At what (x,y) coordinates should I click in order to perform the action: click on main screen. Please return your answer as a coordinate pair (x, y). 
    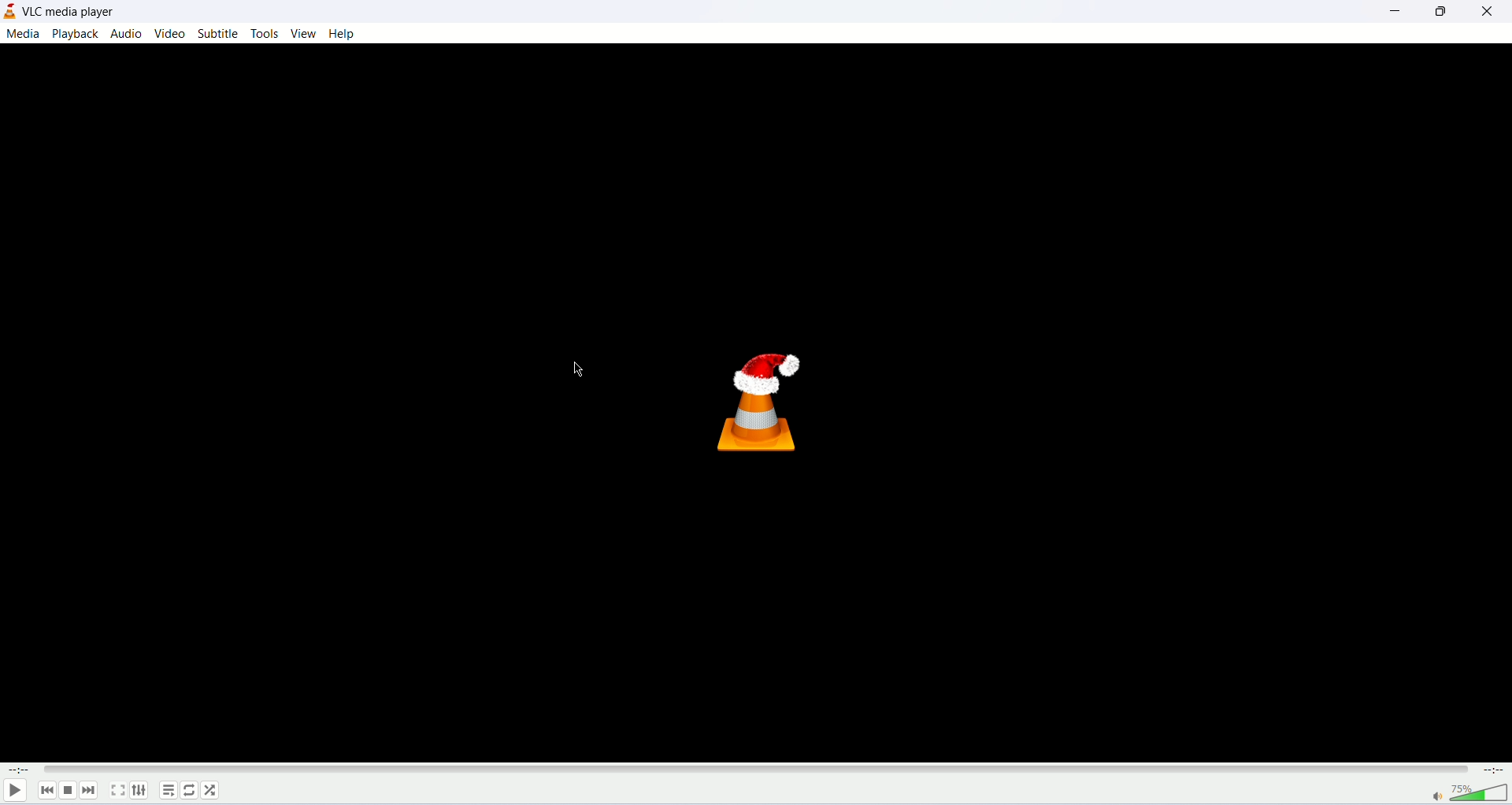
    Looking at the image, I should click on (750, 402).